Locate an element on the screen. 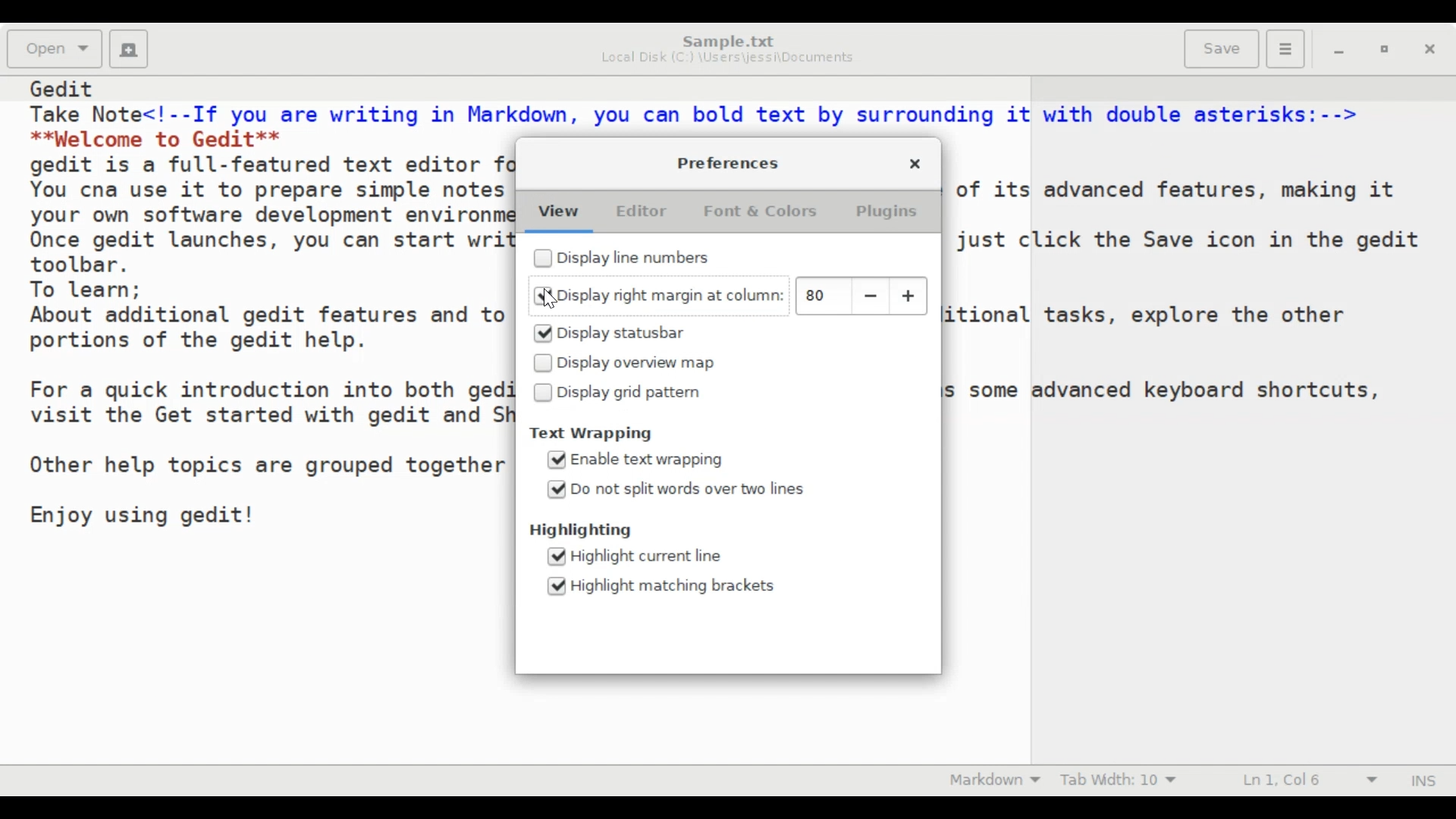  (un)select Enable text wrapping is located at coordinates (635, 460).